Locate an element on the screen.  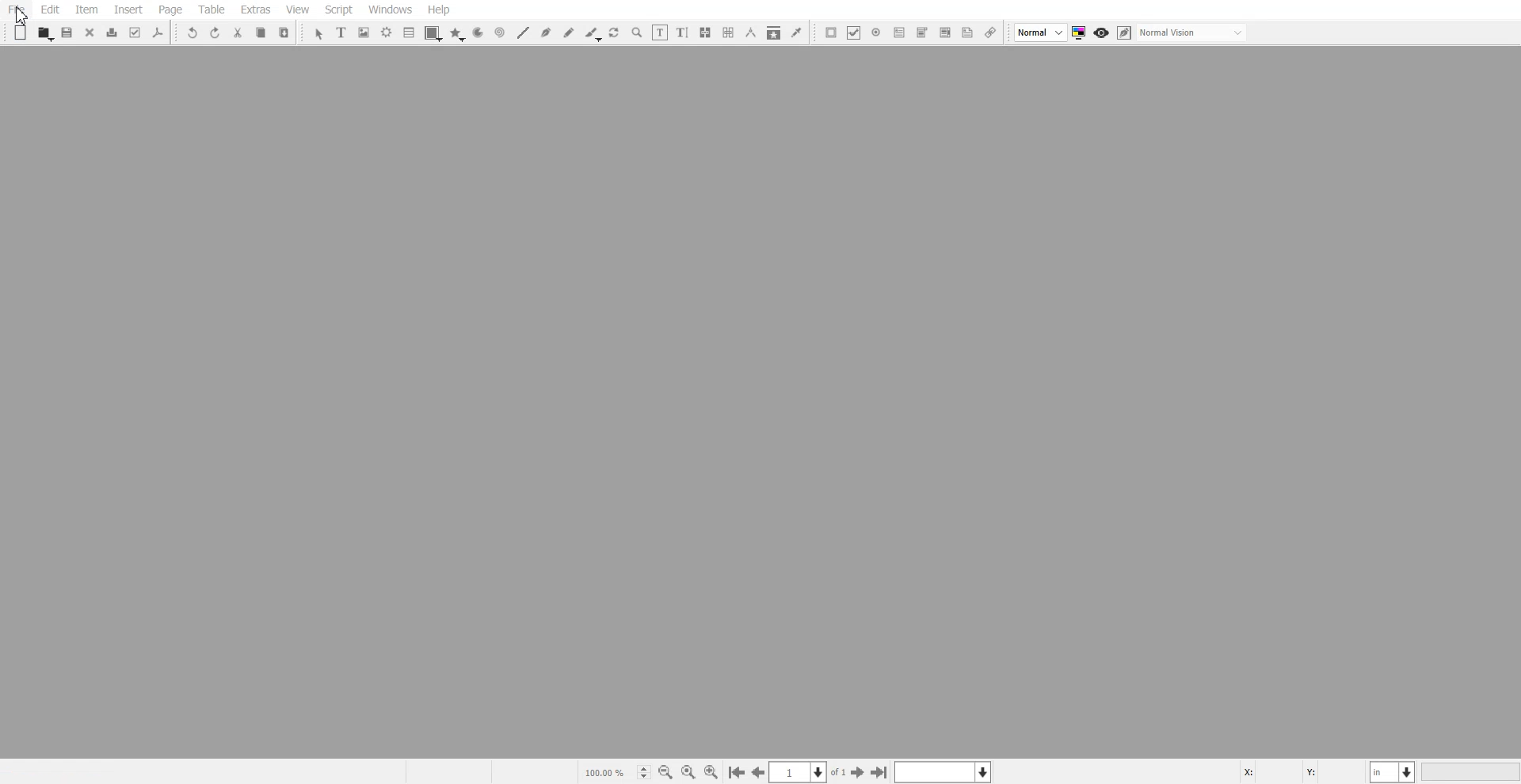
Open is located at coordinates (44, 33).